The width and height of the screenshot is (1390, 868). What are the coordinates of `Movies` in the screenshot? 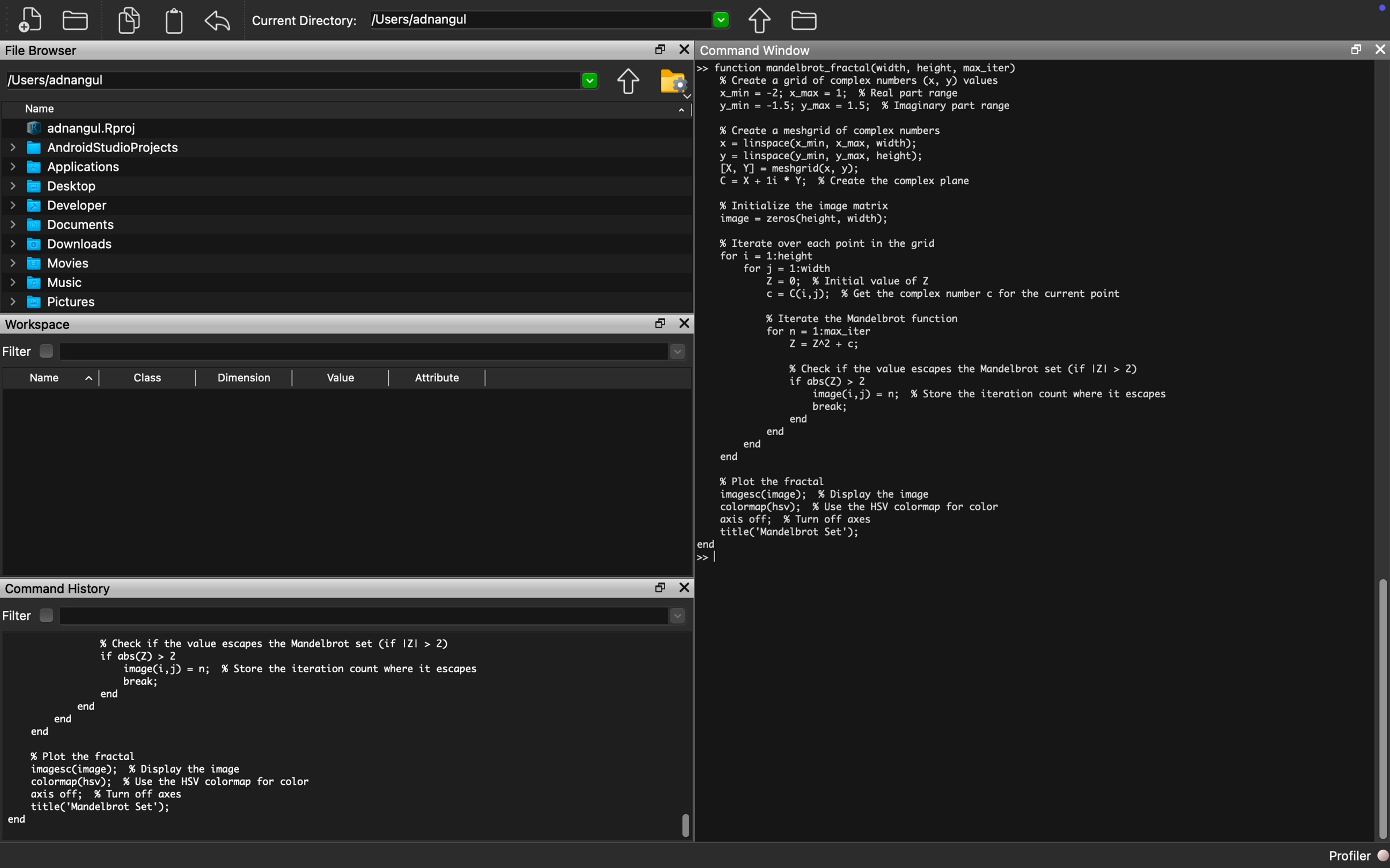 It's located at (48, 263).